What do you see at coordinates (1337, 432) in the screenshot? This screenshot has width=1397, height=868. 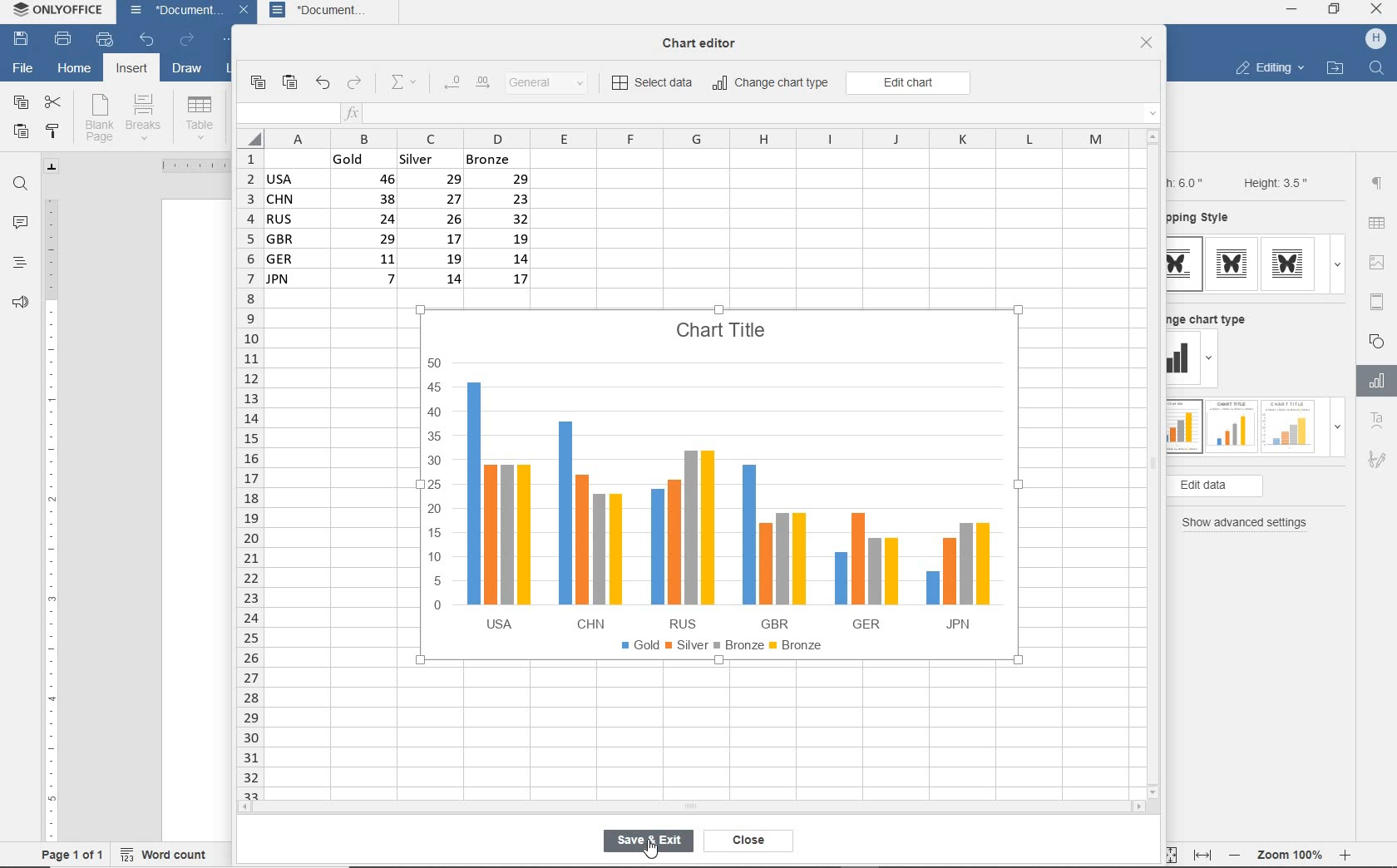 I see `dropdown` at bounding box center [1337, 432].